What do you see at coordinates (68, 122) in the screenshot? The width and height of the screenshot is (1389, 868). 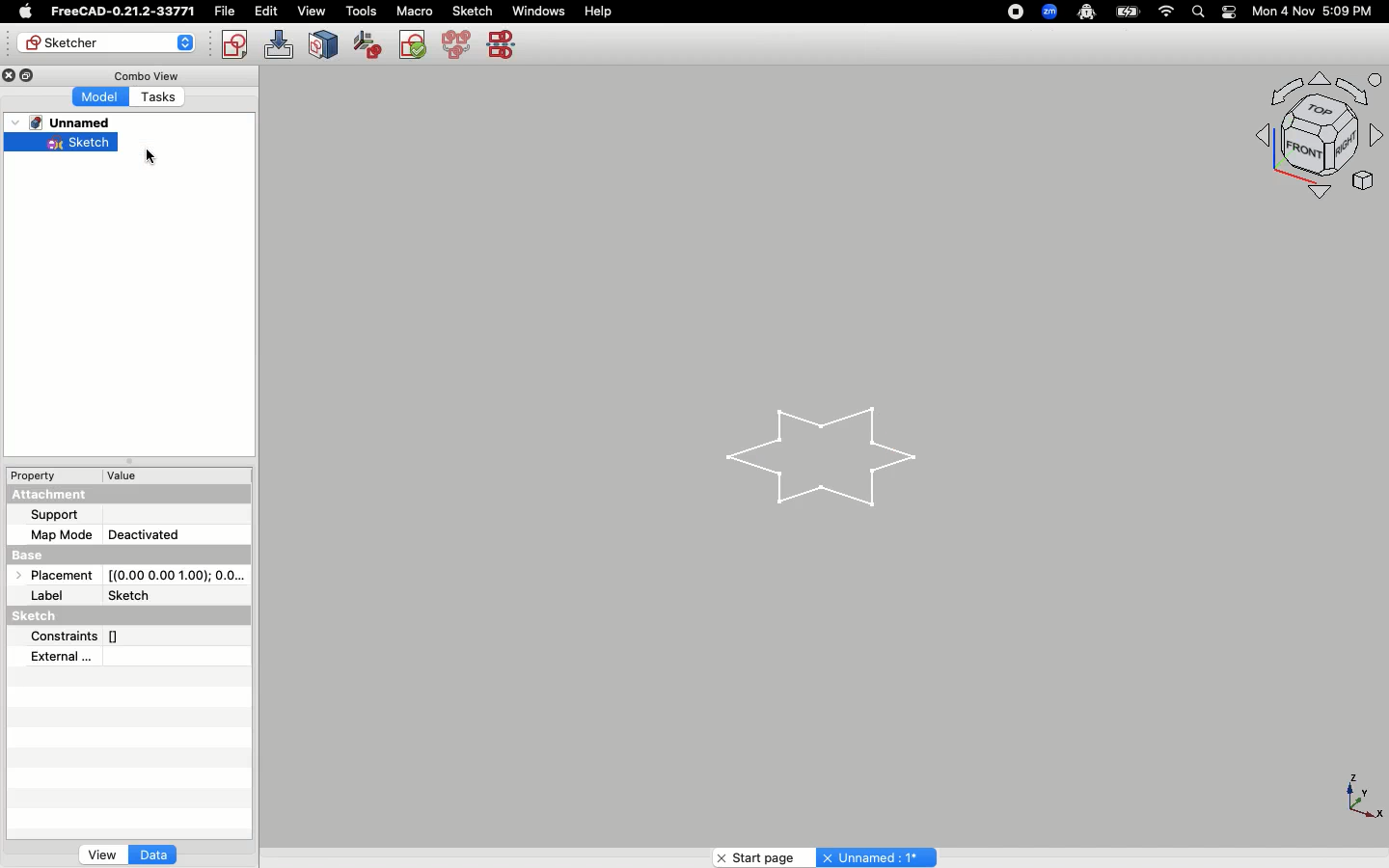 I see `Unnamed` at bounding box center [68, 122].